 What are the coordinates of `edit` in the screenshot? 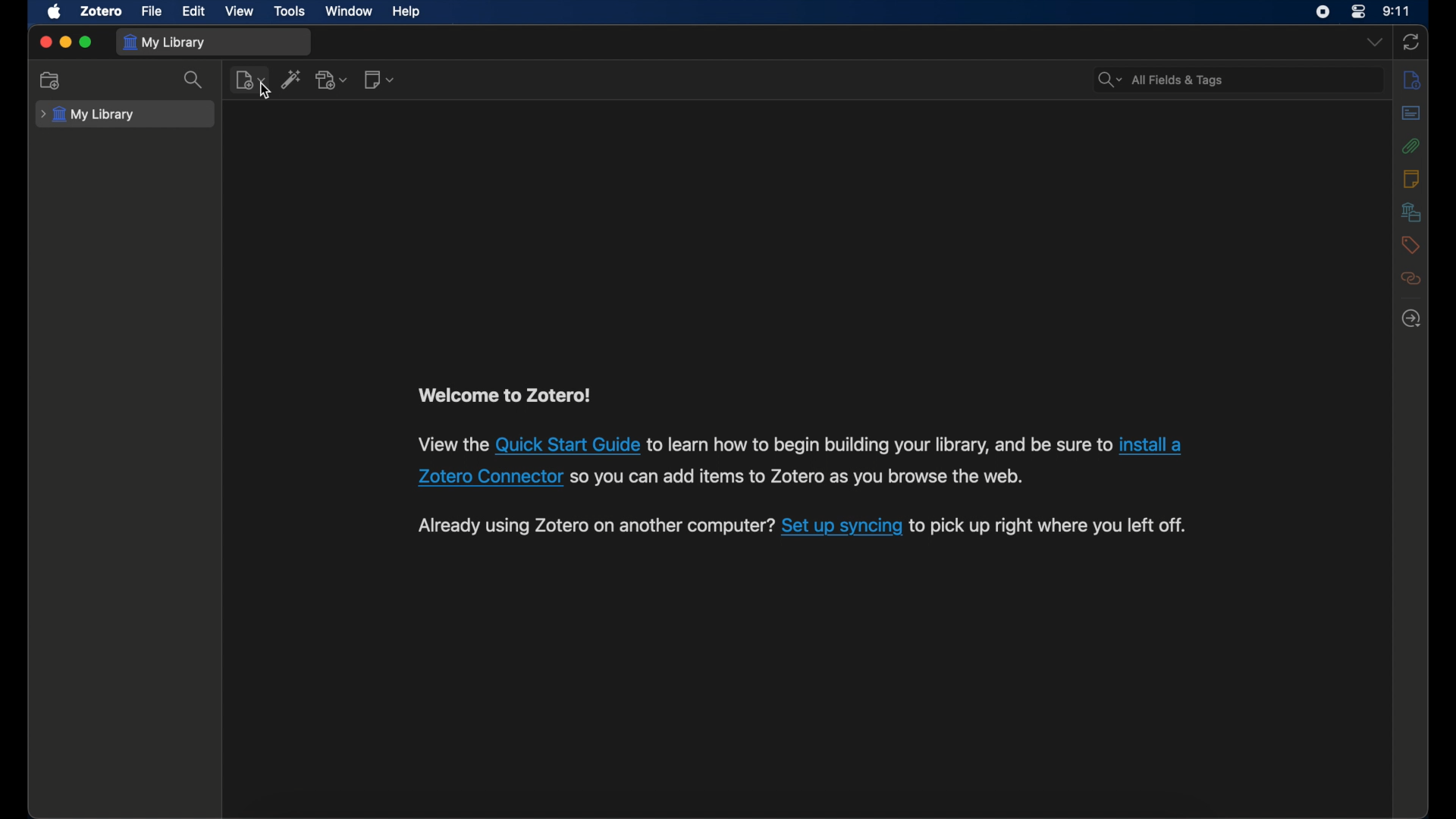 It's located at (193, 11).